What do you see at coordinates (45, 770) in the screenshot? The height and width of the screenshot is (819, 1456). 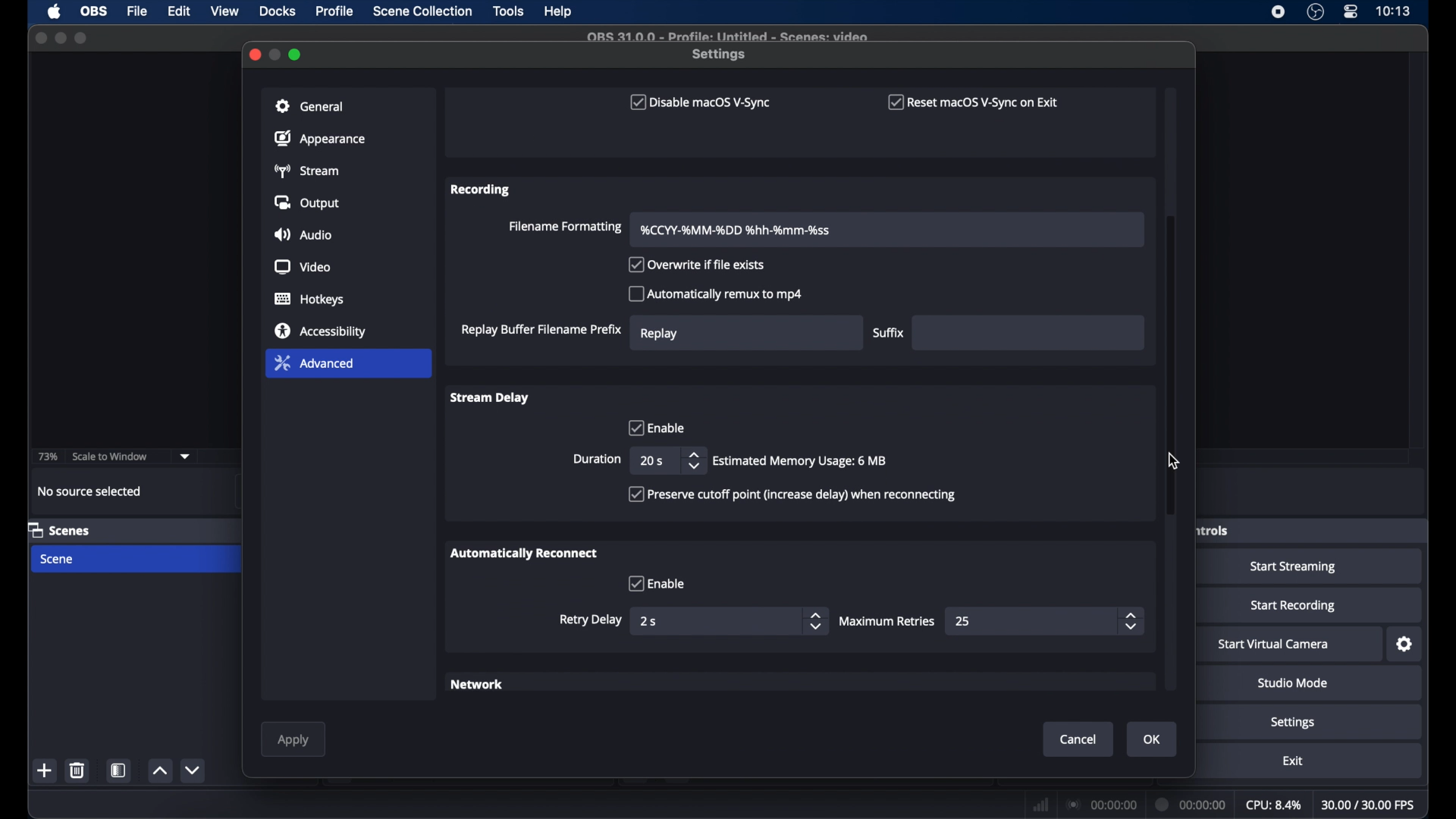 I see `add` at bounding box center [45, 770].